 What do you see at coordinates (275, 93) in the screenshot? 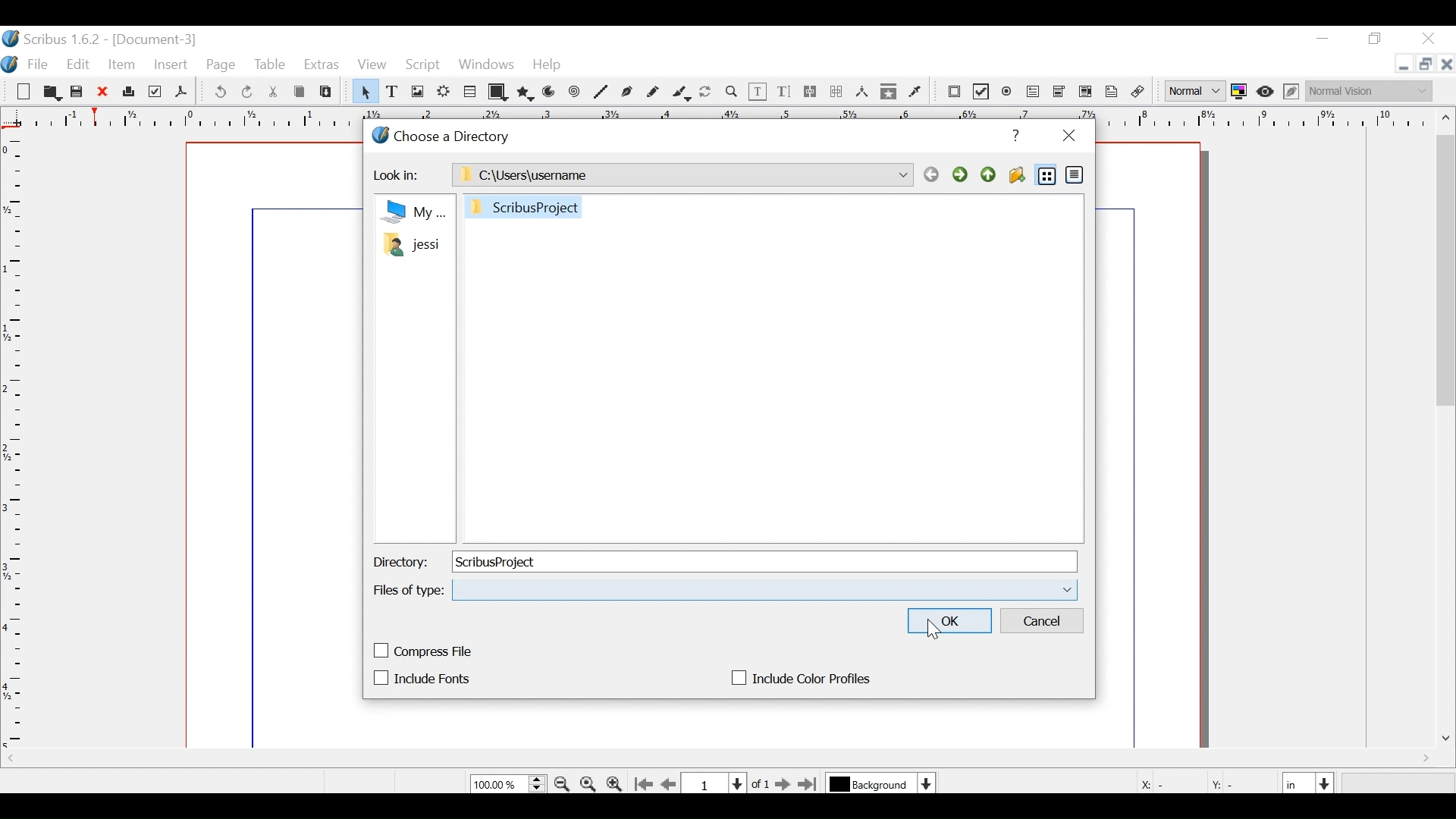
I see `Cut` at bounding box center [275, 93].